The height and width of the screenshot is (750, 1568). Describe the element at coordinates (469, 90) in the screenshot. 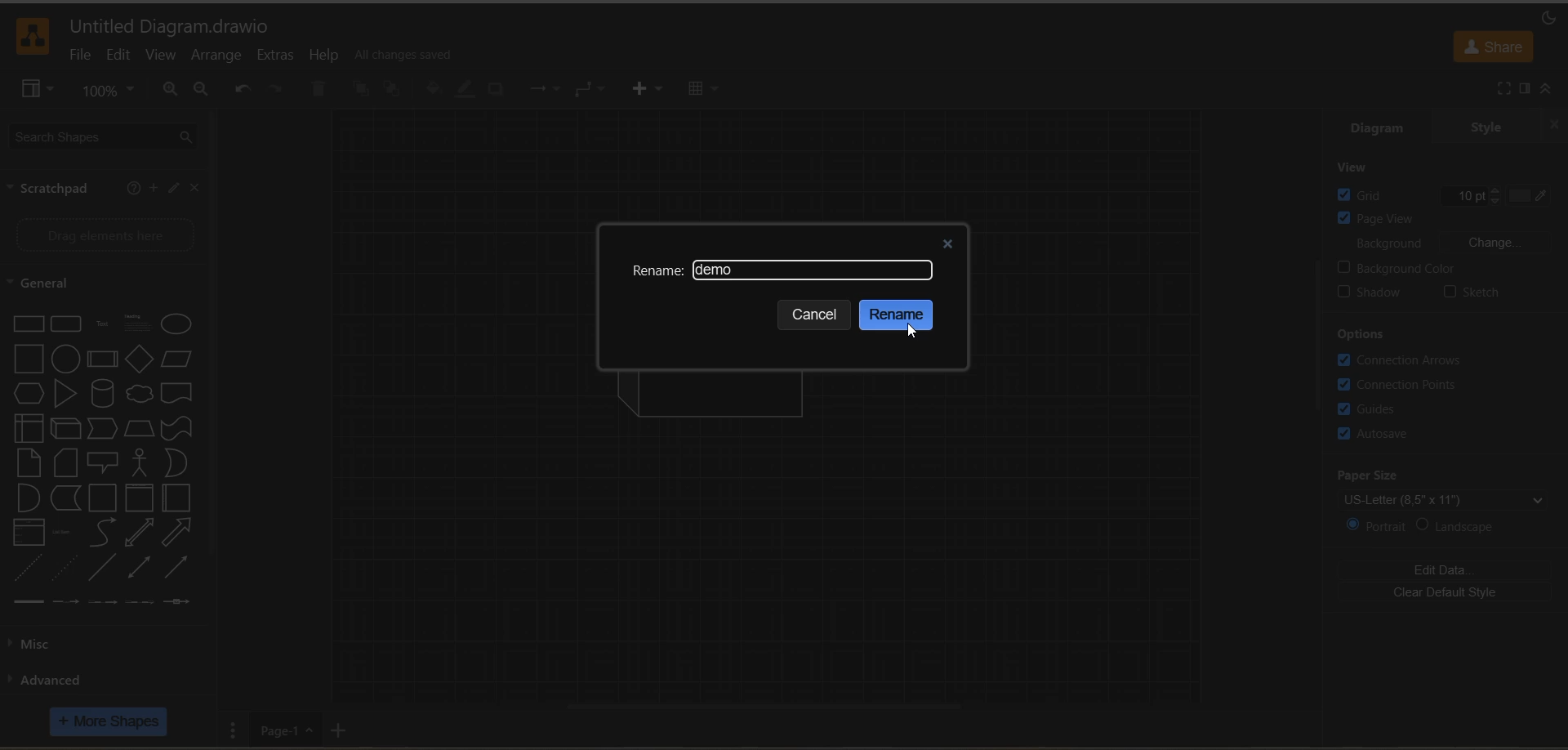

I see `line color` at that location.